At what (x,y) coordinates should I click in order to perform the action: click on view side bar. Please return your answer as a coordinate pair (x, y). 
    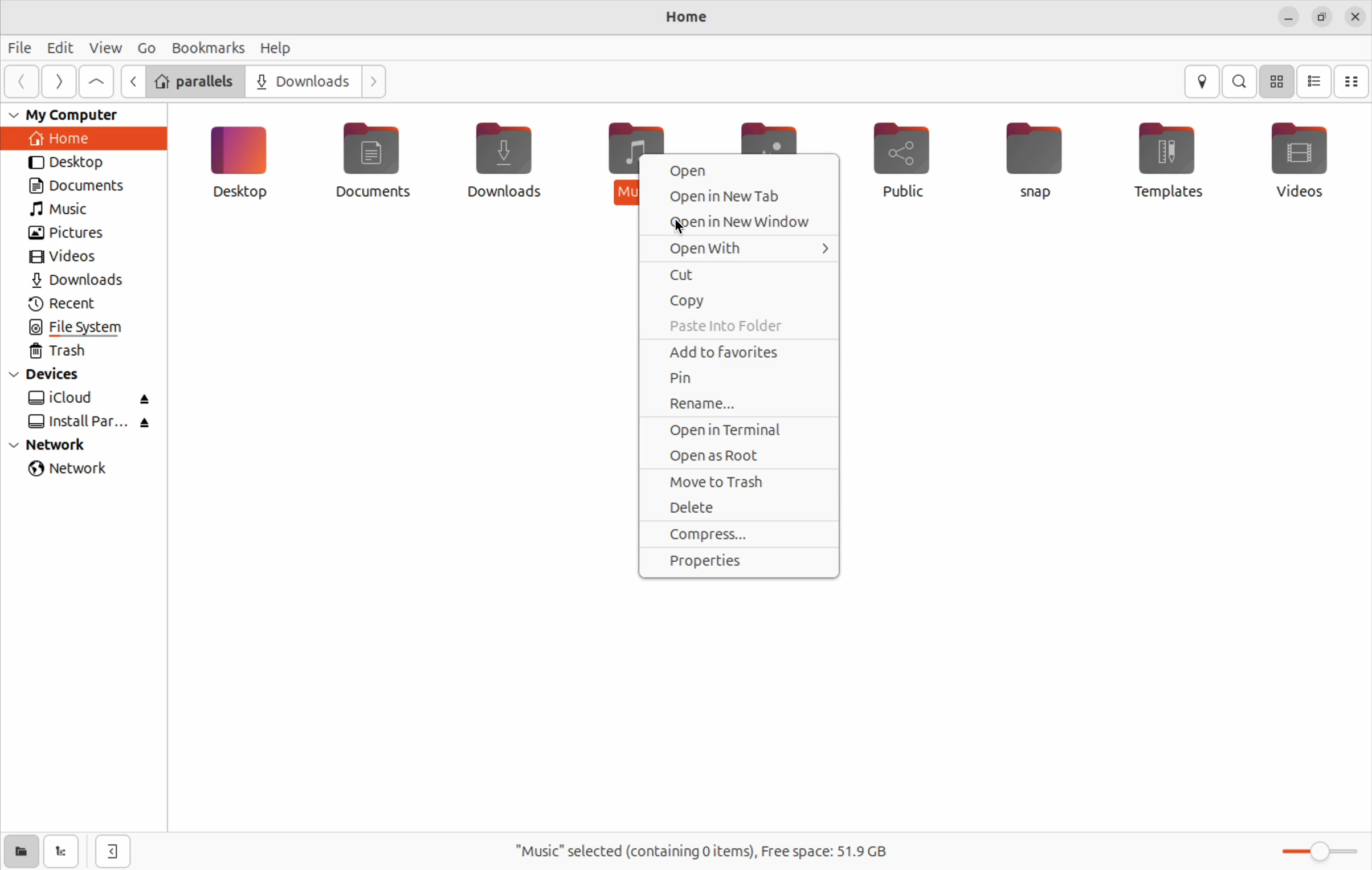
    Looking at the image, I should click on (115, 851).